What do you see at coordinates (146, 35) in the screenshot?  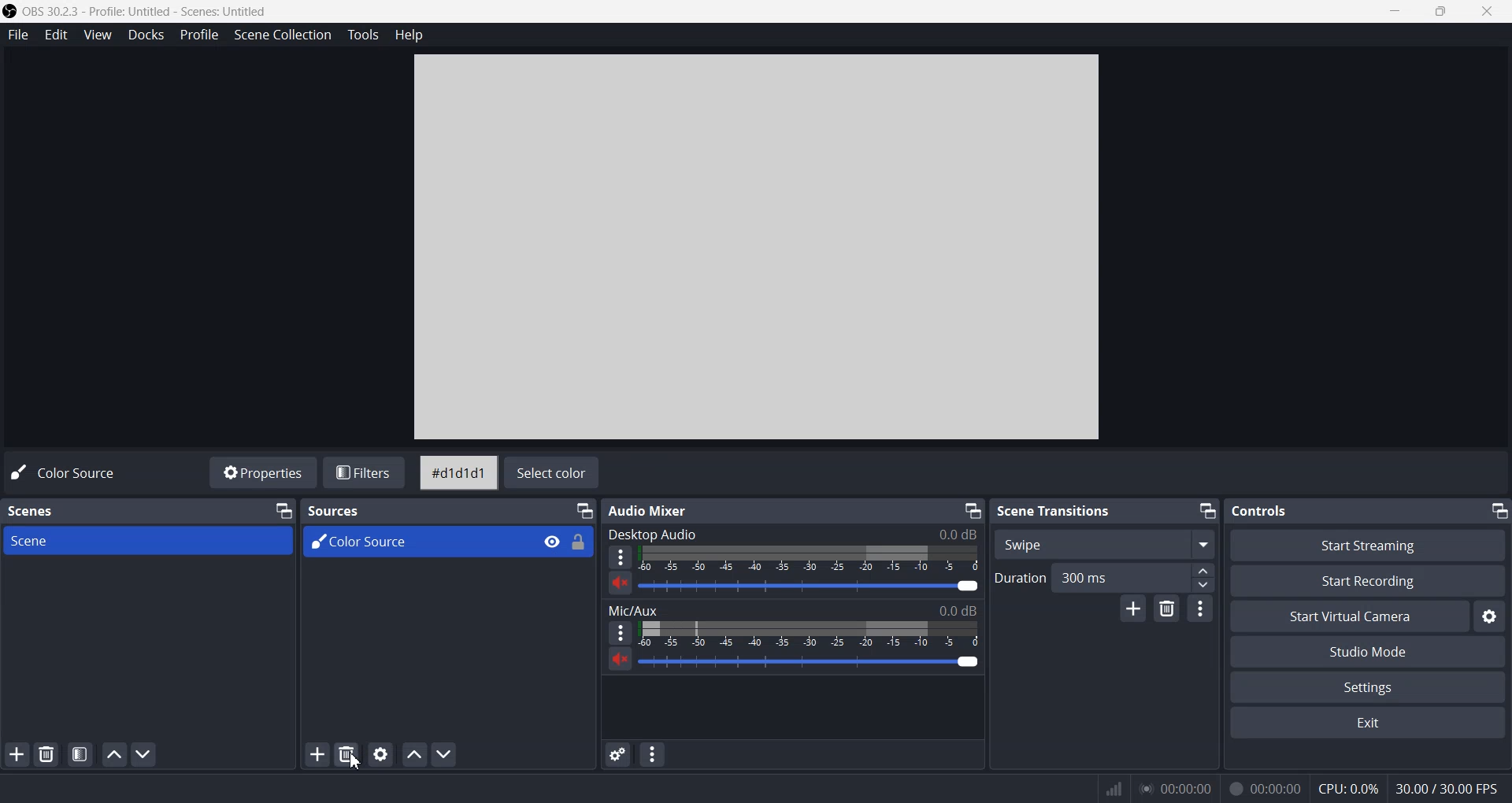 I see `Docks` at bounding box center [146, 35].